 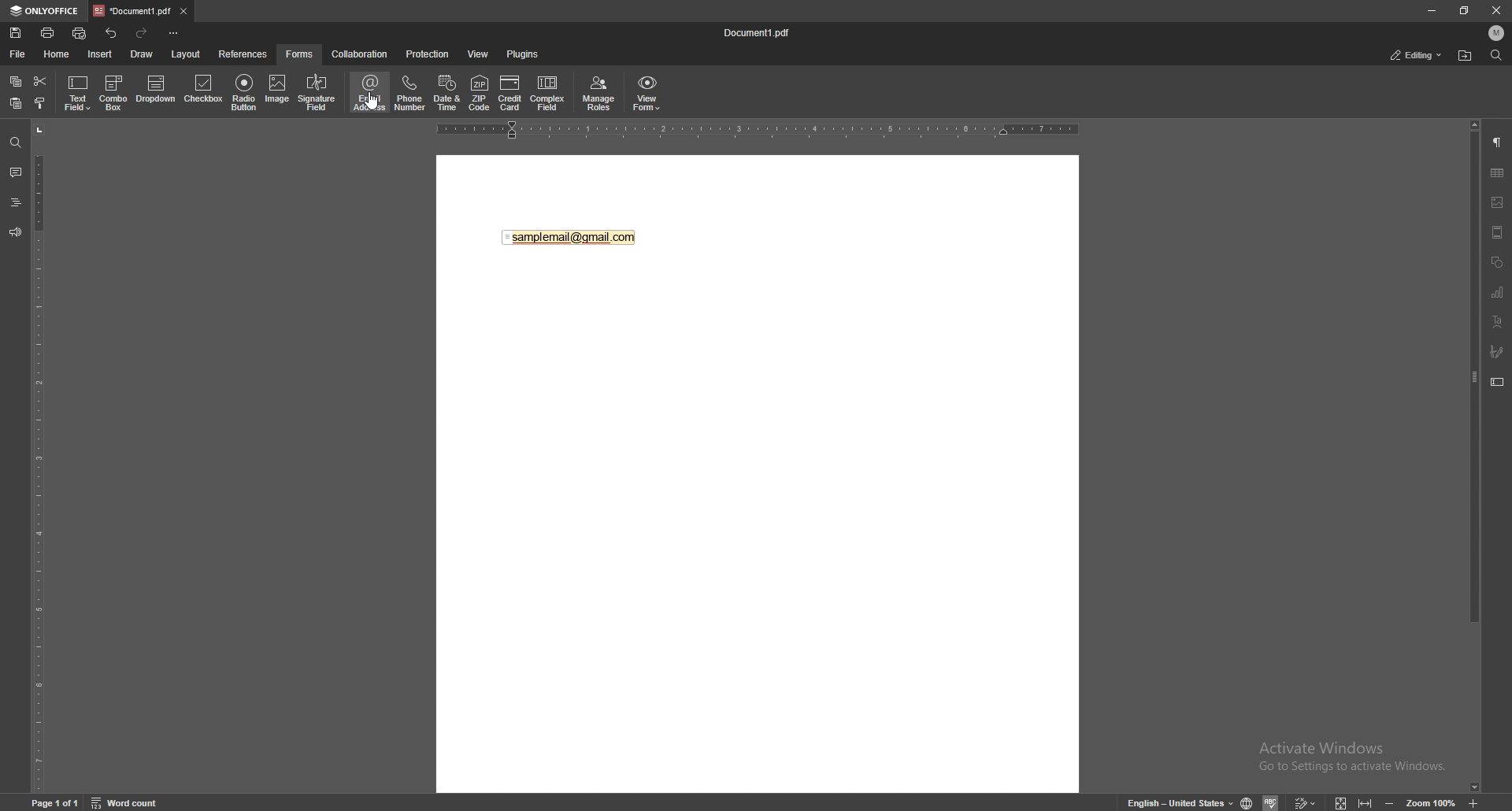 I want to click on text art, so click(x=1498, y=322).